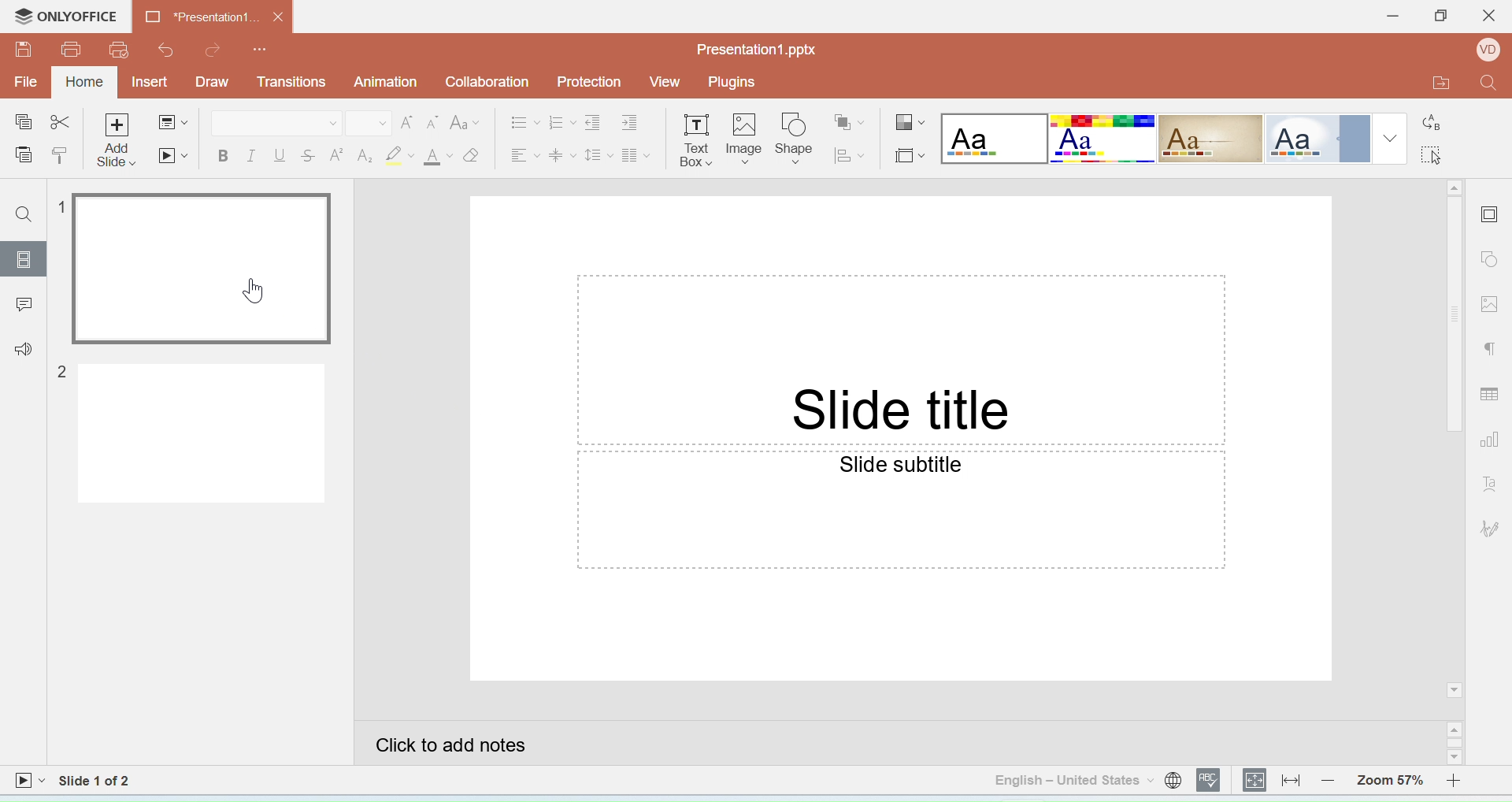 This screenshot has height=802, width=1512. What do you see at coordinates (61, 124) in the screenshot?
I see `Cut` at bounding box center [61, 124].